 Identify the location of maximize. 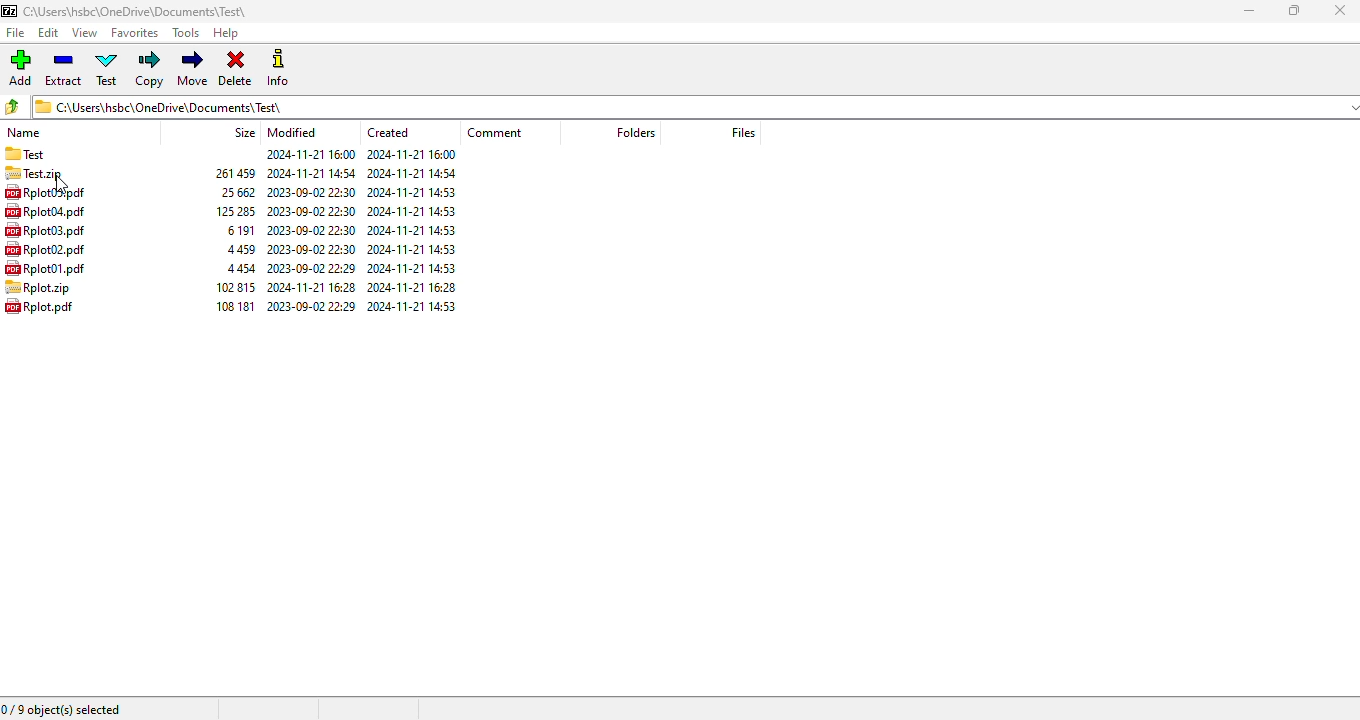
(1292, 10).